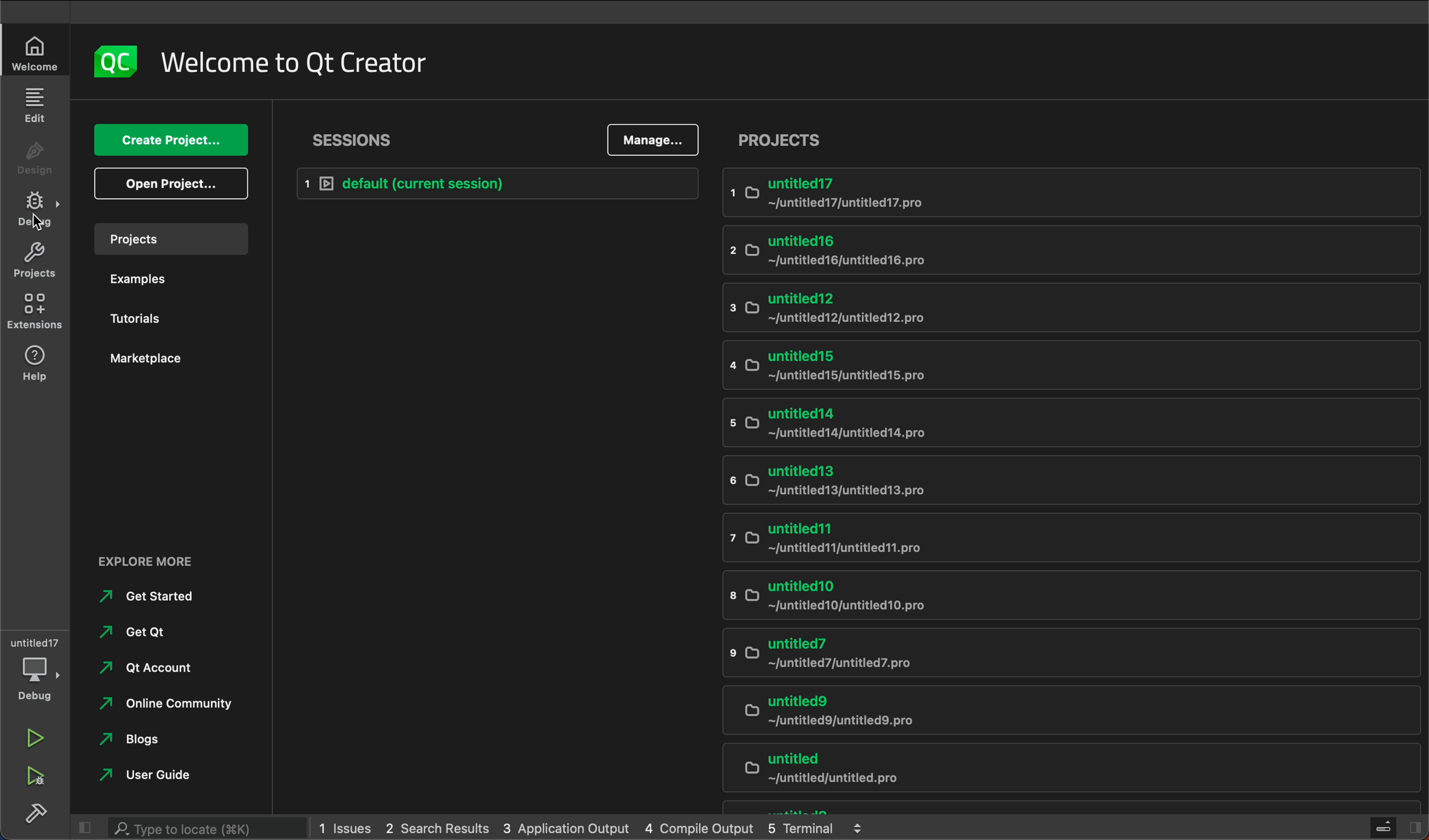 This screenshot has width=1429, height=840. I want to click on EDIT, so click(37, 105).